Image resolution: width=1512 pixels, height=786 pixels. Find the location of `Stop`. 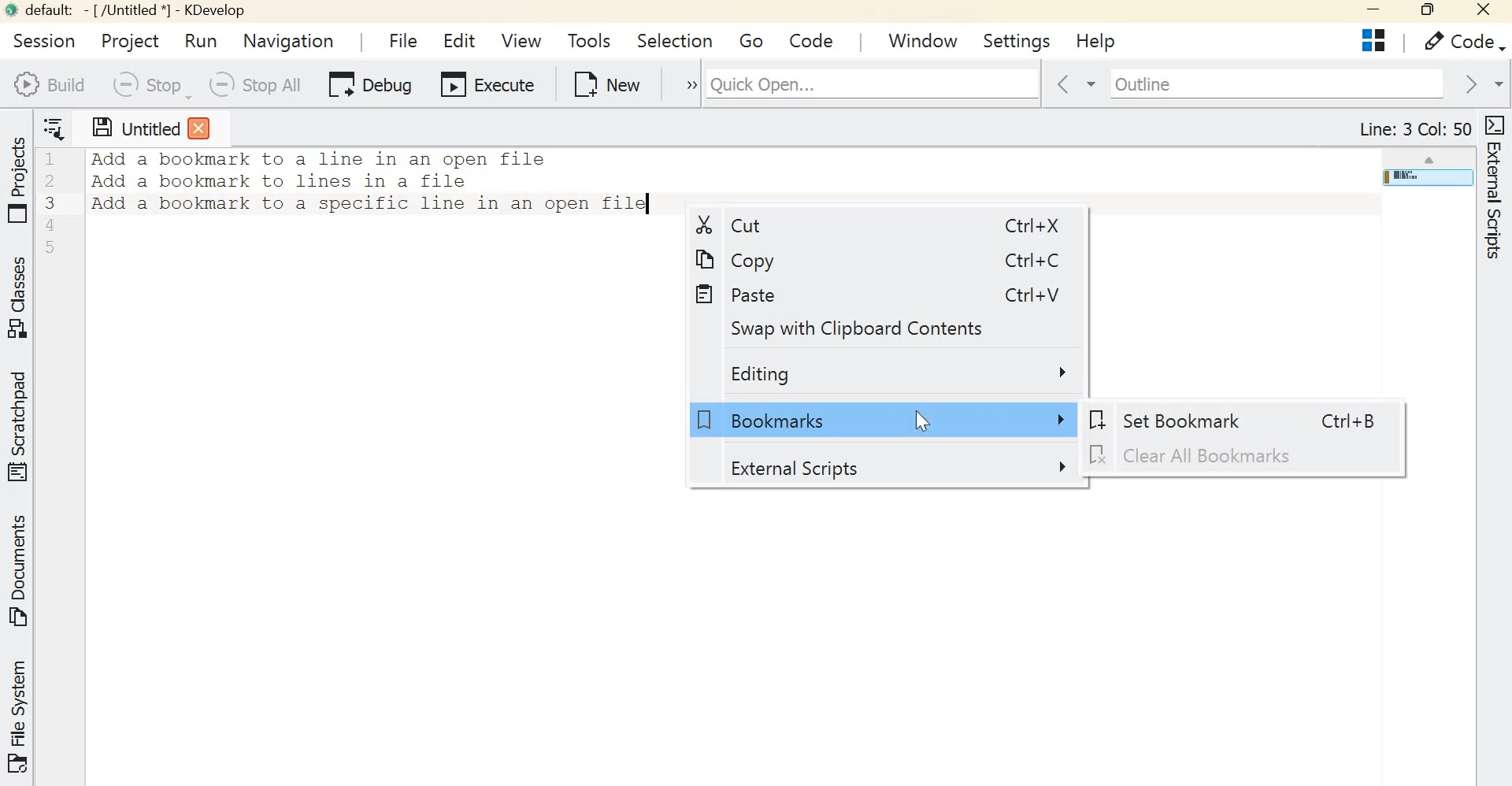

Stop is located at coordinates (149, 85).